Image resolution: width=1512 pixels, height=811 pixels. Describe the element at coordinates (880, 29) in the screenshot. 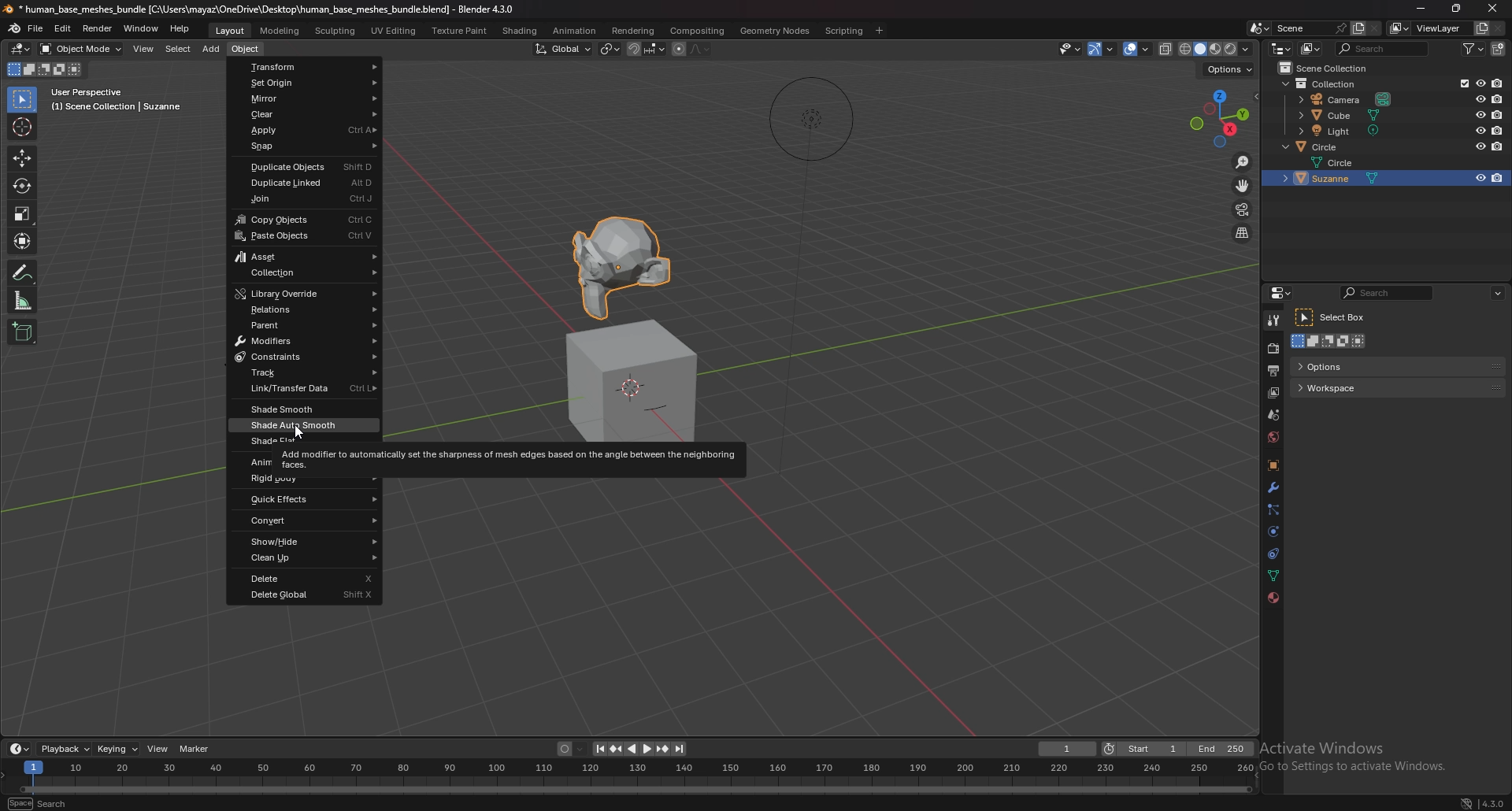

I see `add workspace` at that location.